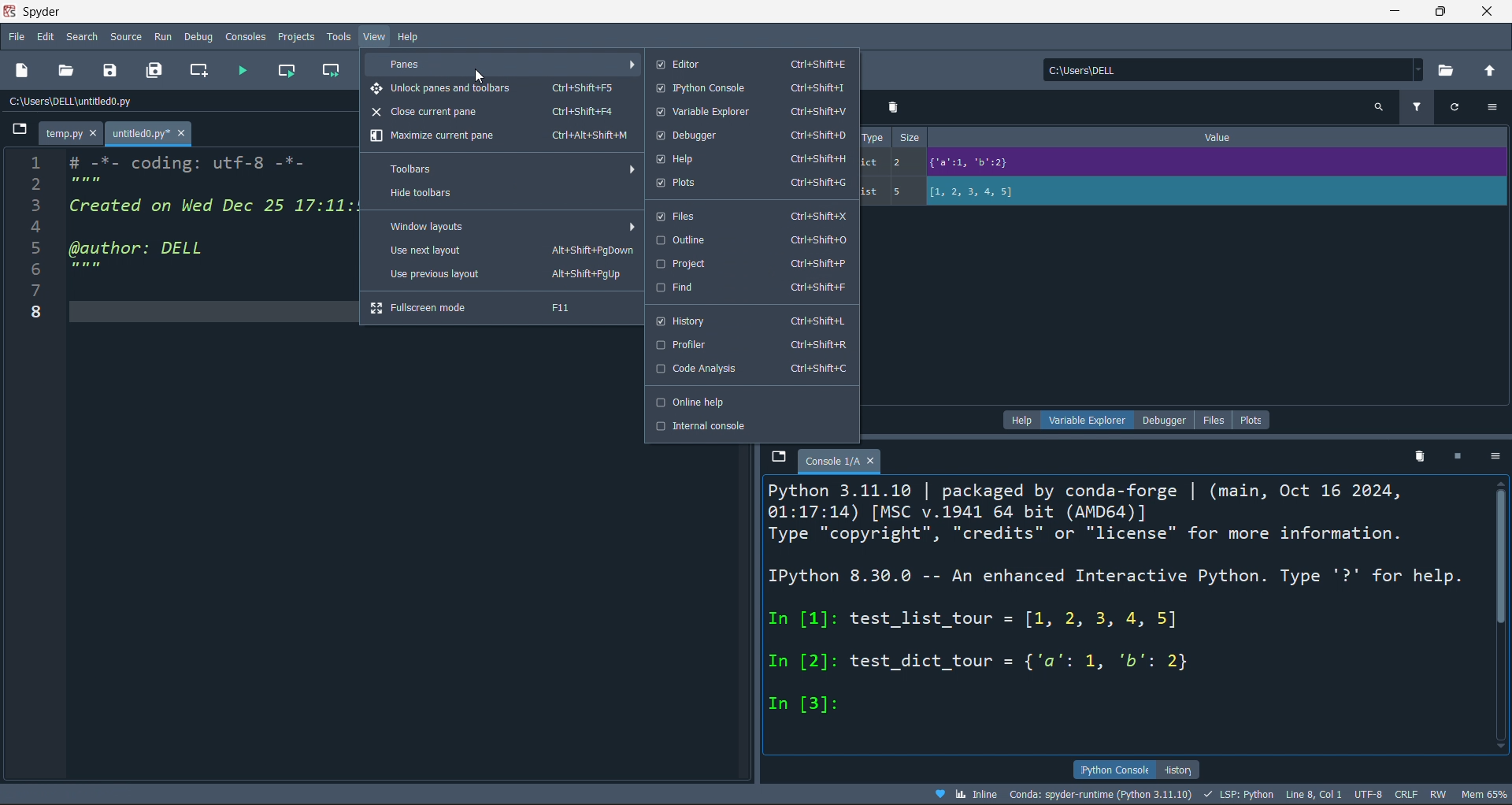 The image size is (1512, 805). What do you see at coordinates (1018, 420) in the screenshot?
I see `help` at bounding box center [1018, 420].